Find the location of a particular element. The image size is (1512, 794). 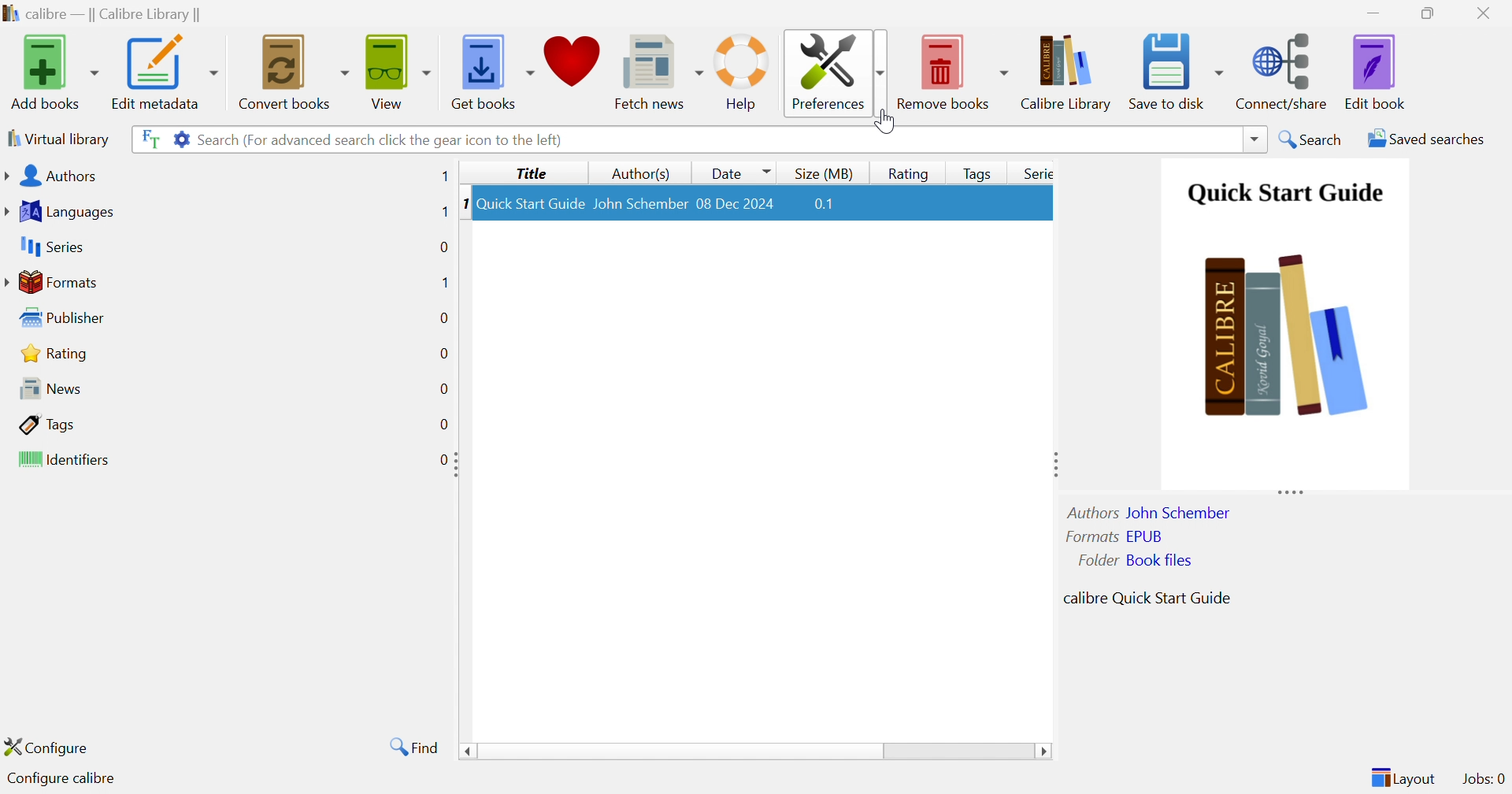

Expand is located at coordinates (1052, 463).